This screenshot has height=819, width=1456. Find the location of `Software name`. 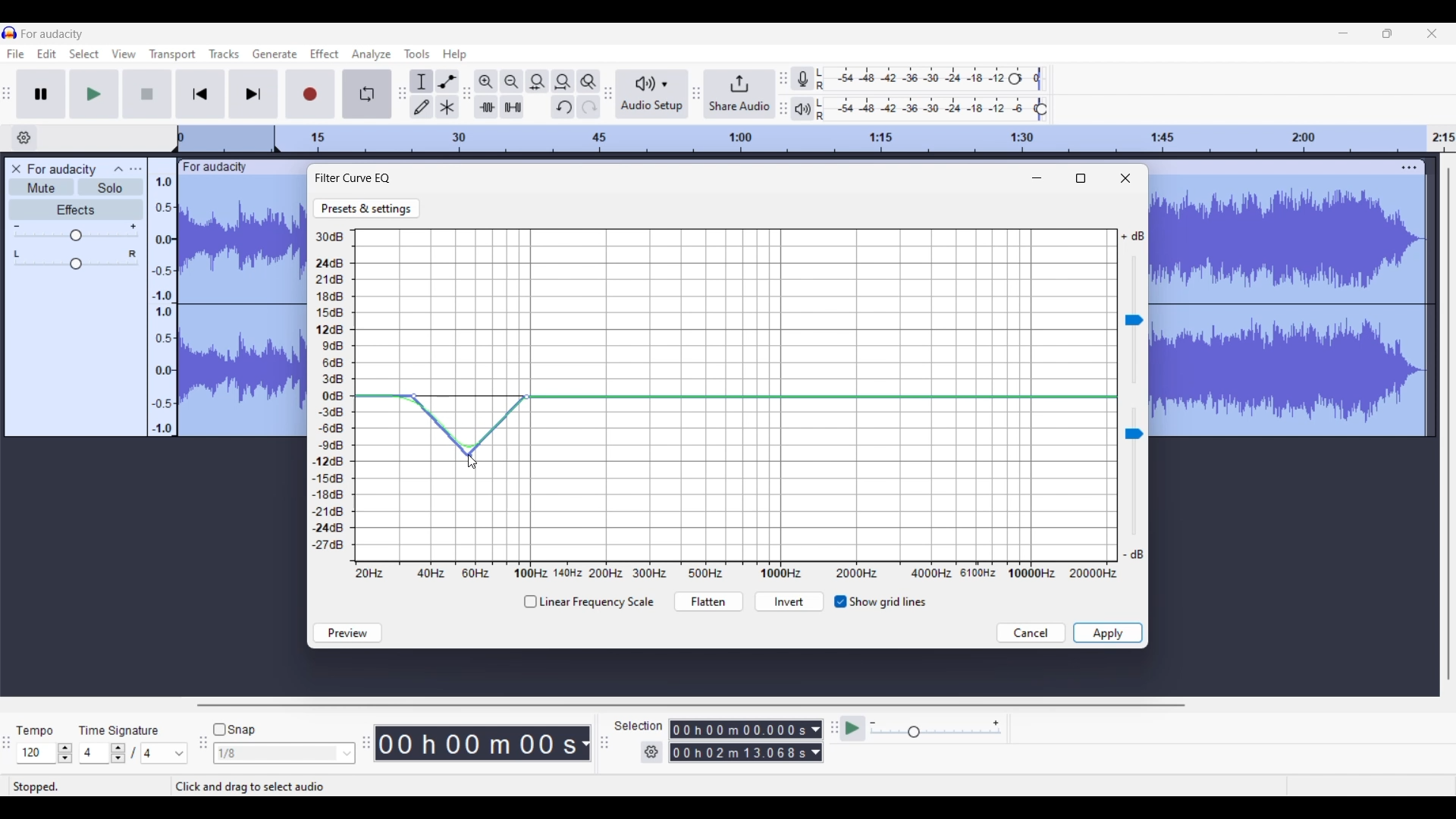

Software name is located at coordinates (53, 33).